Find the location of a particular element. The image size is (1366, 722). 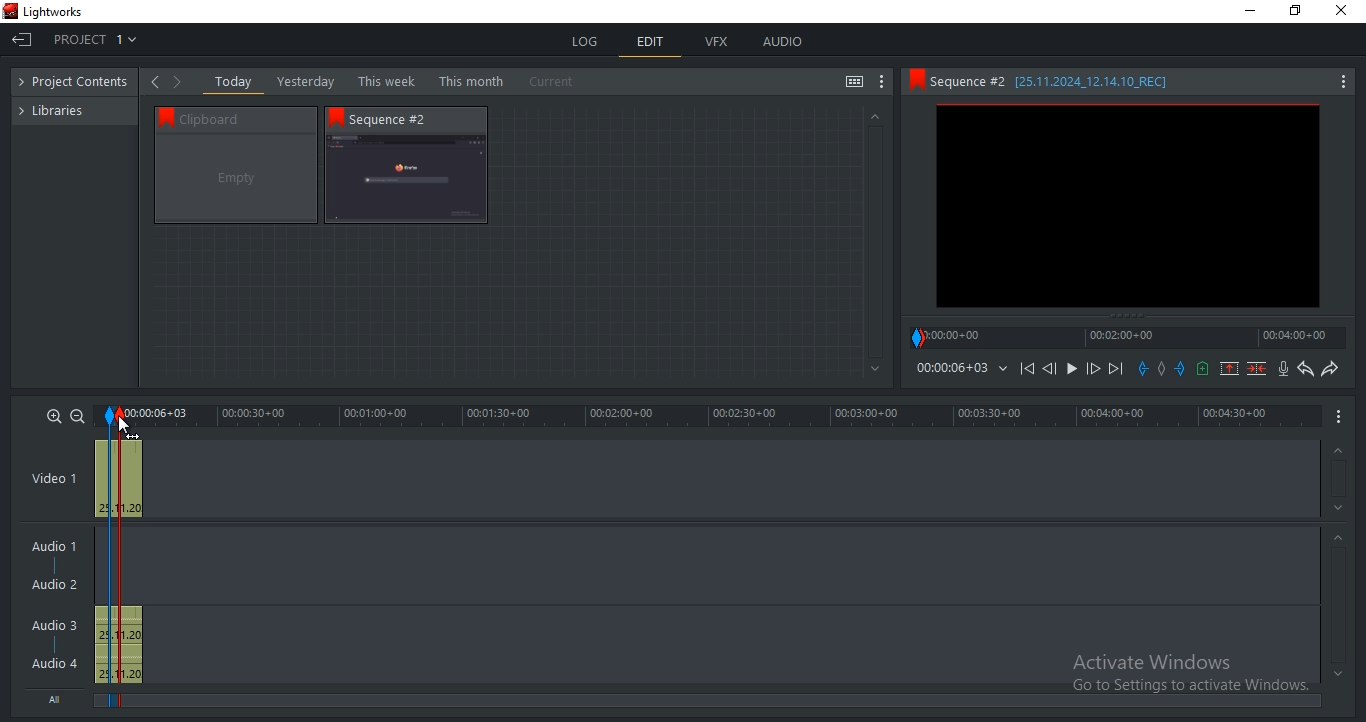

Drop down arrow is located at coordinates (1003, 369).